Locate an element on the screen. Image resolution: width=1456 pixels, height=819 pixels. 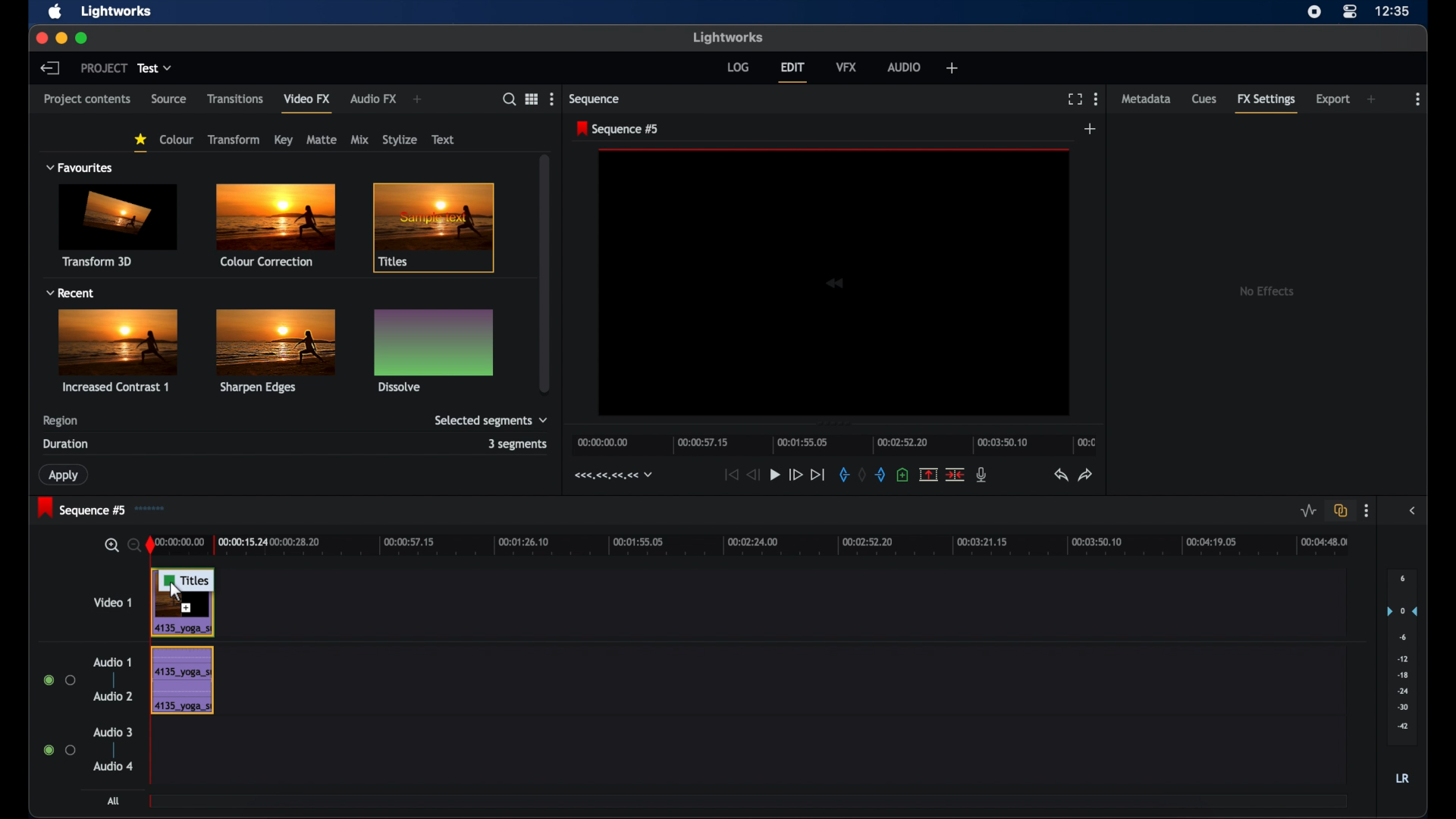
jump to start is located at coordinates (730, 475).